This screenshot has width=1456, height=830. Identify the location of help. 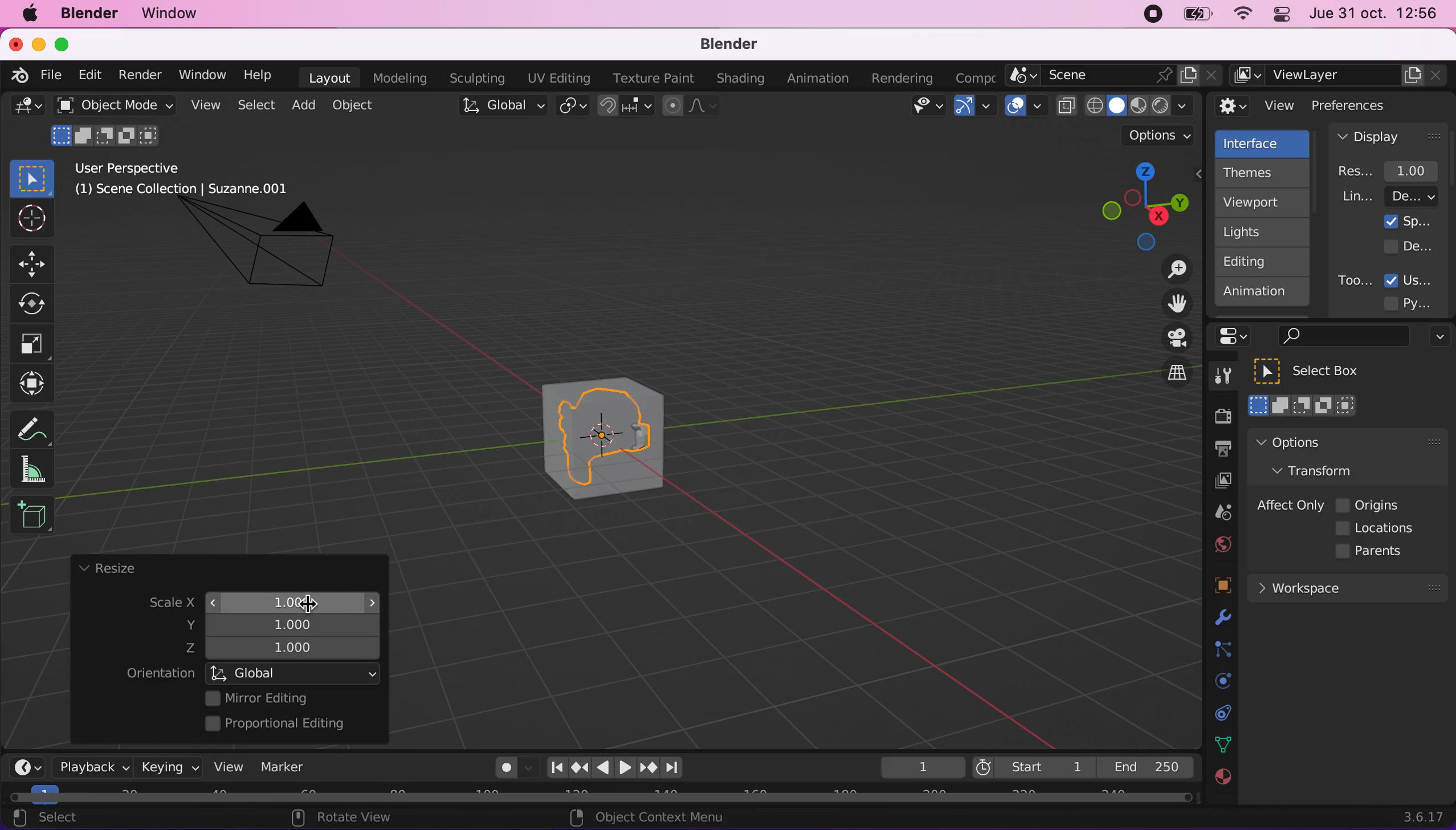
(259, 74).